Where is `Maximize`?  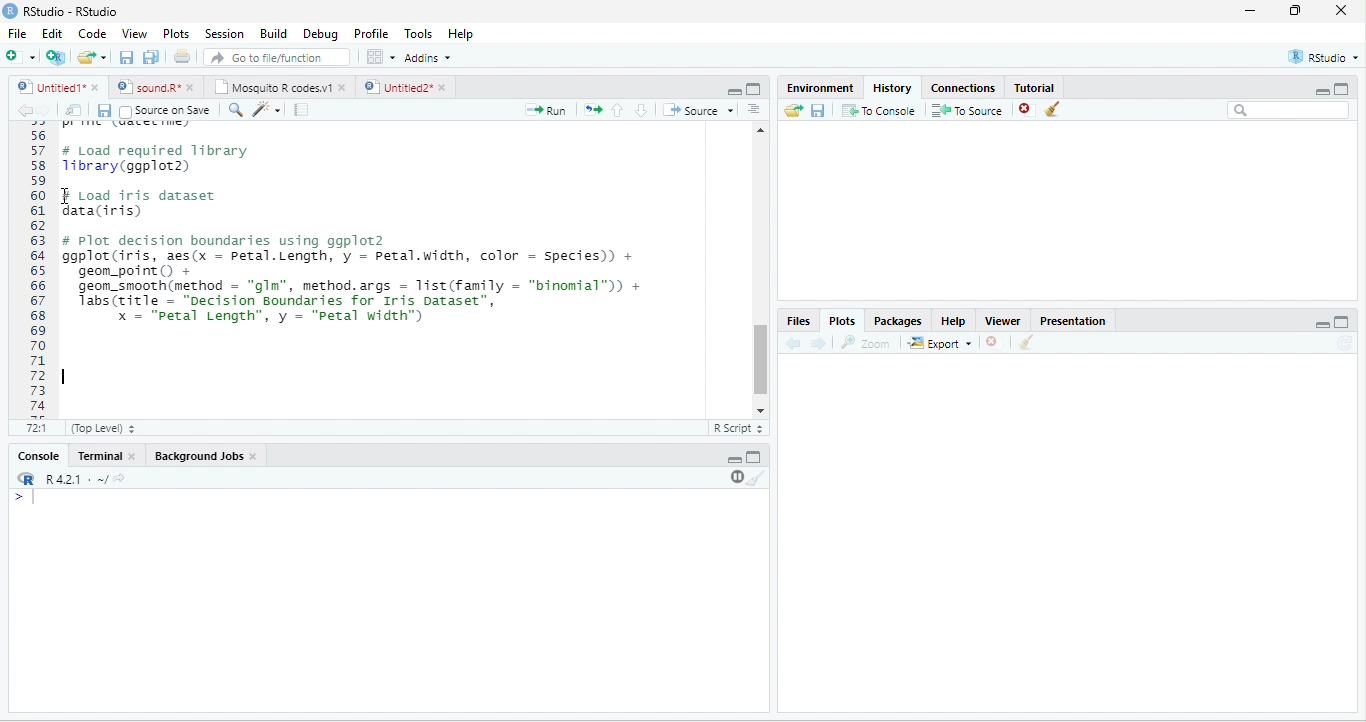 Maximize is located at coordinates (754, 457).